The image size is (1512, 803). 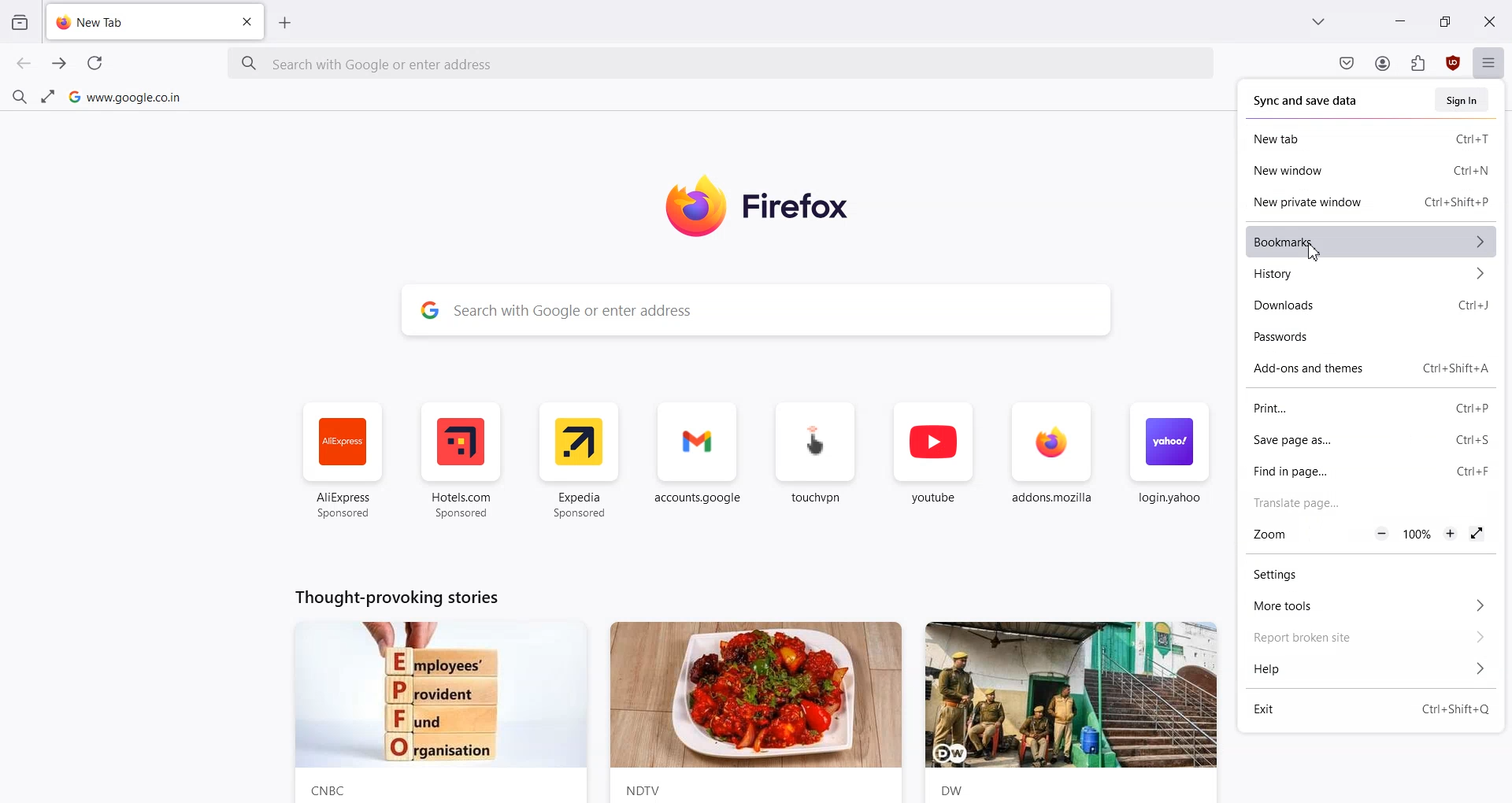 What do you see at coordinates (1472, 172) in the screenshot?
I see `Shortcut key` at bounding box center [1472, 172].